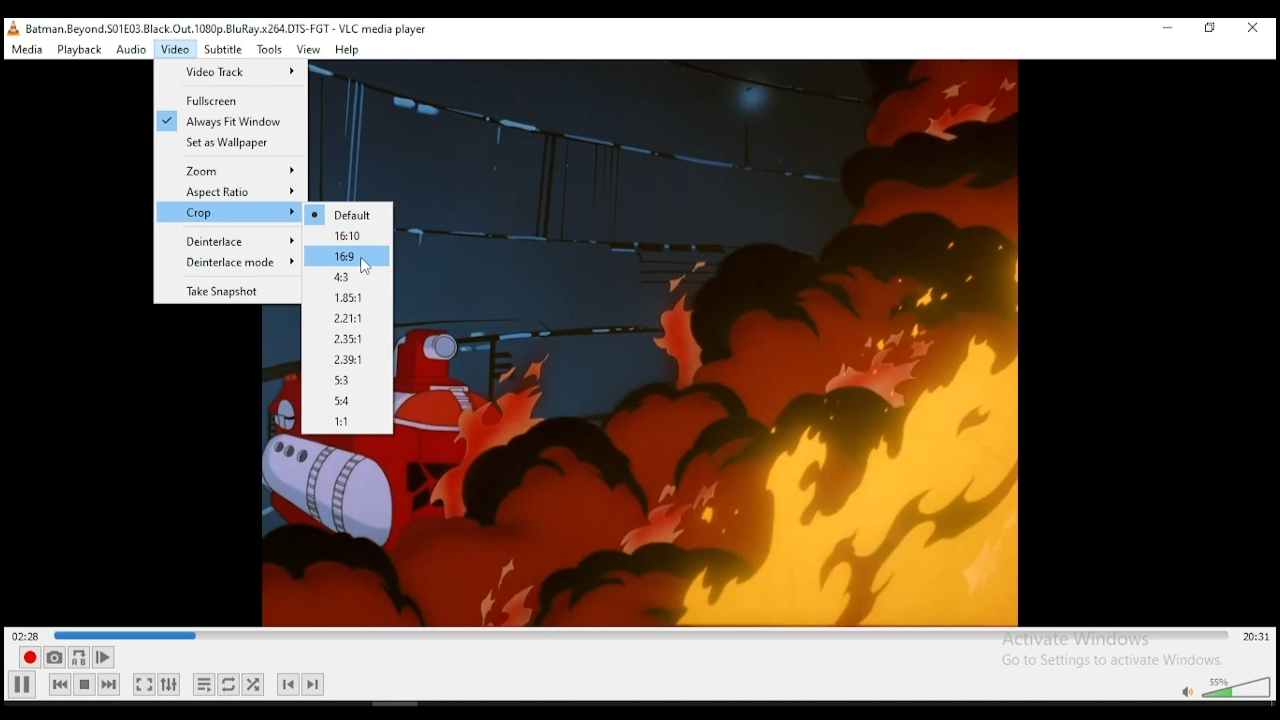 The image size is (1280, 720). Describe the element at coordinates (26, 49) in the screenshot. I see `media` at that location.